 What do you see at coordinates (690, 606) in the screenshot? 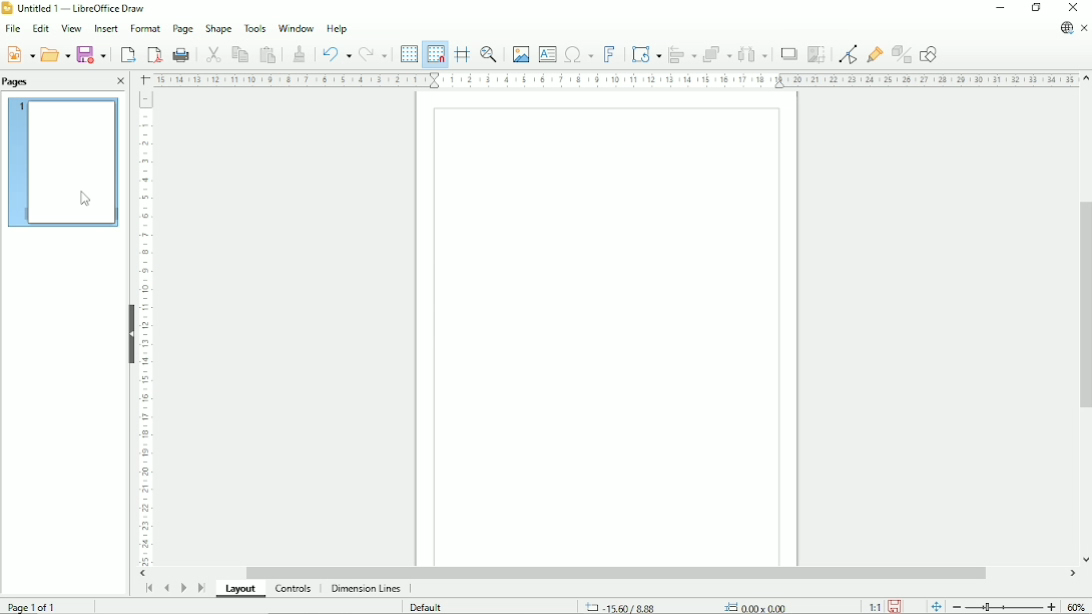
I see `Cursor position` at bounding box center [690, 606].